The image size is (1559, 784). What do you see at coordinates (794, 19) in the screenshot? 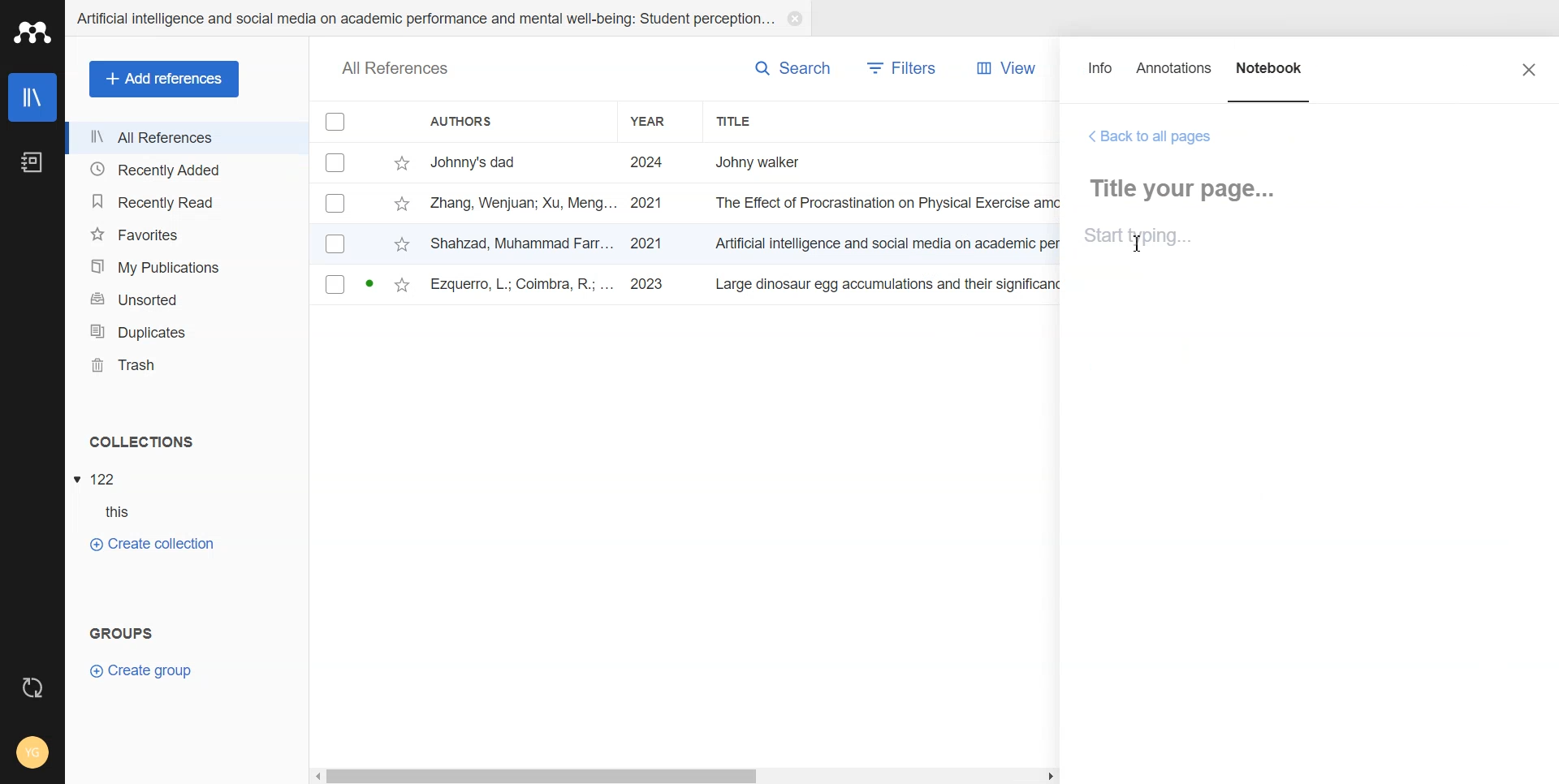
I see `Close` at bounding box center [794, 19].